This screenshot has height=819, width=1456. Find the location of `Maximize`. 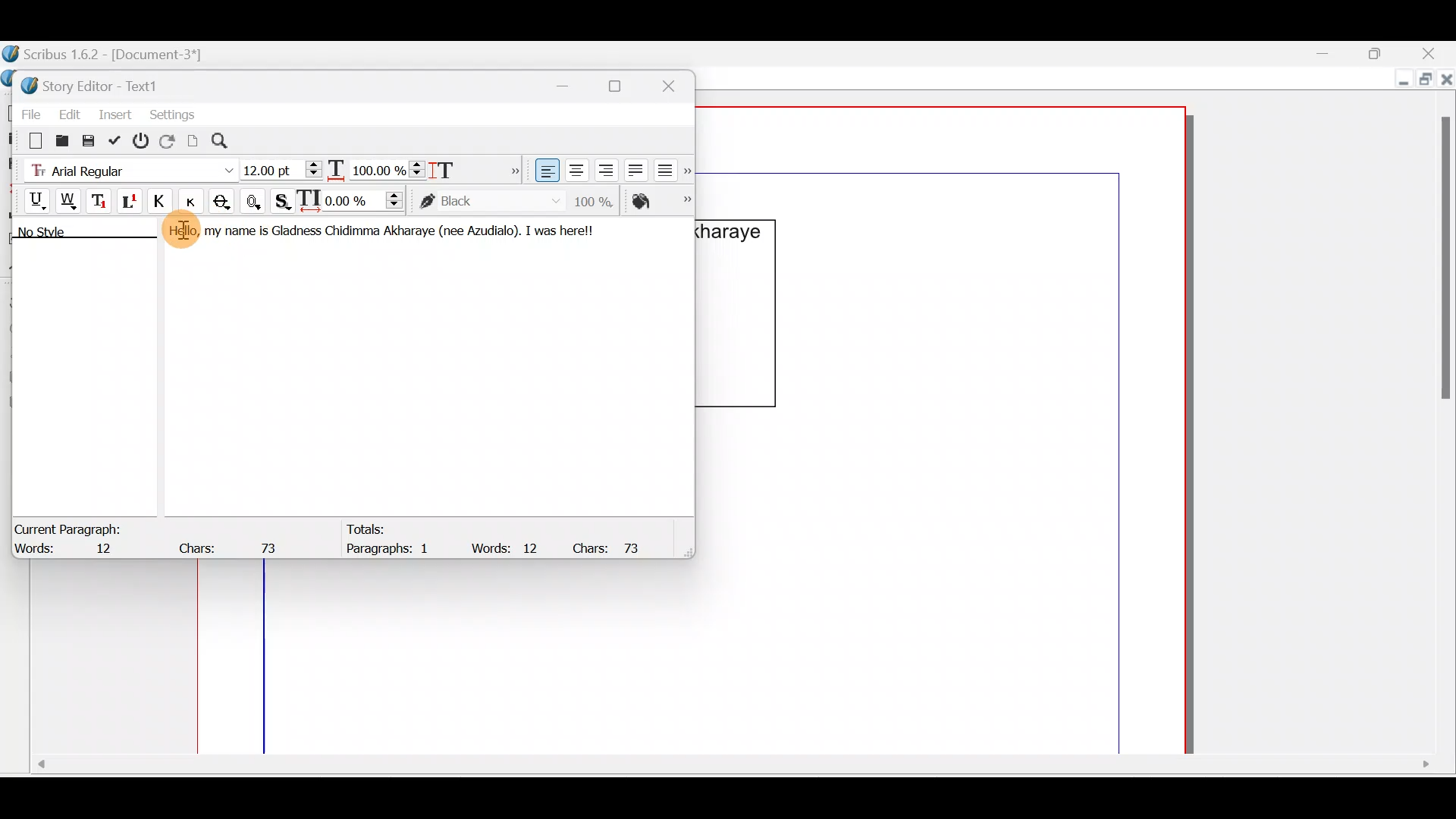

Maximize is located at coordinates (624, 86).